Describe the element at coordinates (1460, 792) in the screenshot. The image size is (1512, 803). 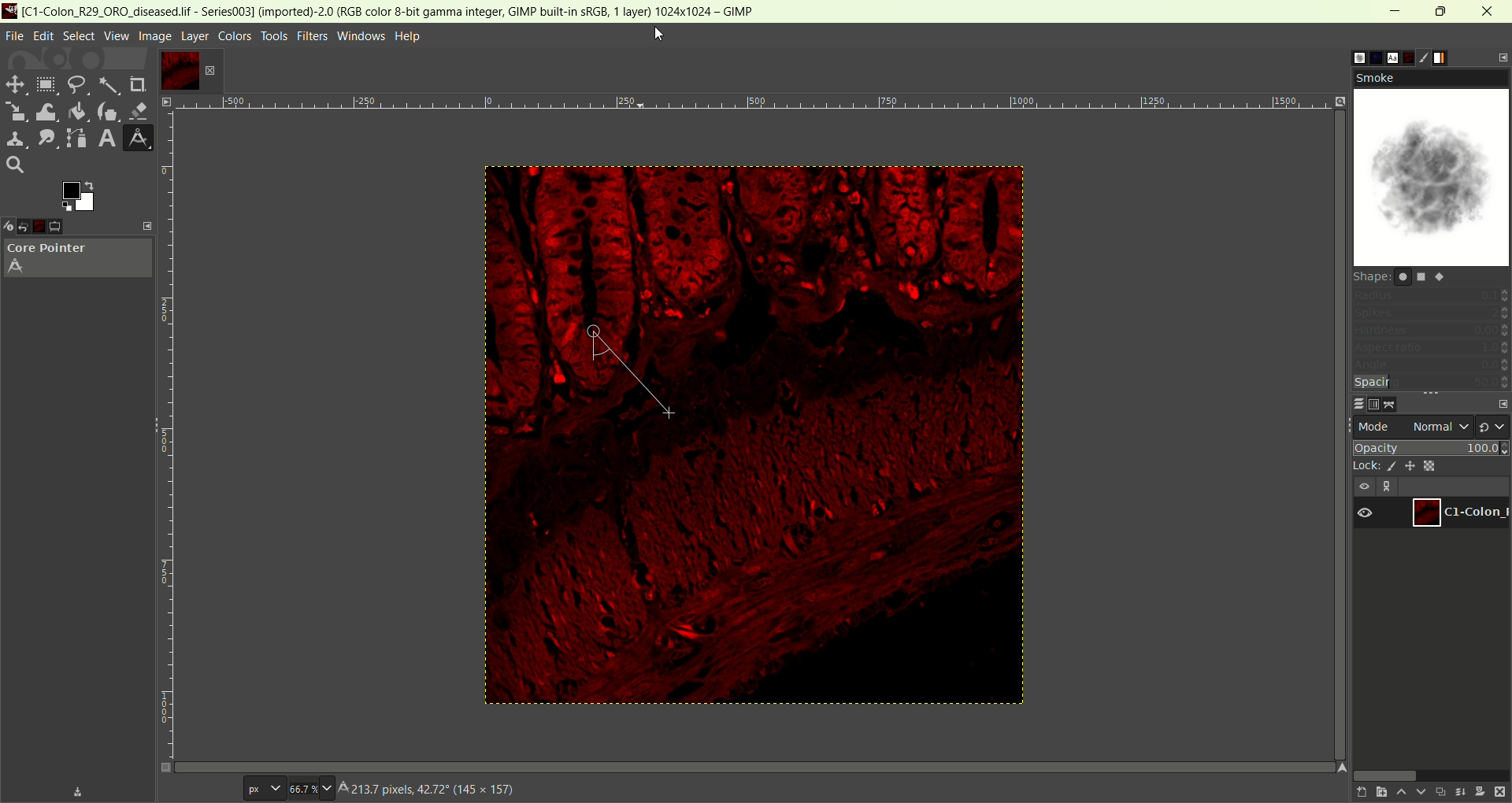
I see `merge layer` at that location.